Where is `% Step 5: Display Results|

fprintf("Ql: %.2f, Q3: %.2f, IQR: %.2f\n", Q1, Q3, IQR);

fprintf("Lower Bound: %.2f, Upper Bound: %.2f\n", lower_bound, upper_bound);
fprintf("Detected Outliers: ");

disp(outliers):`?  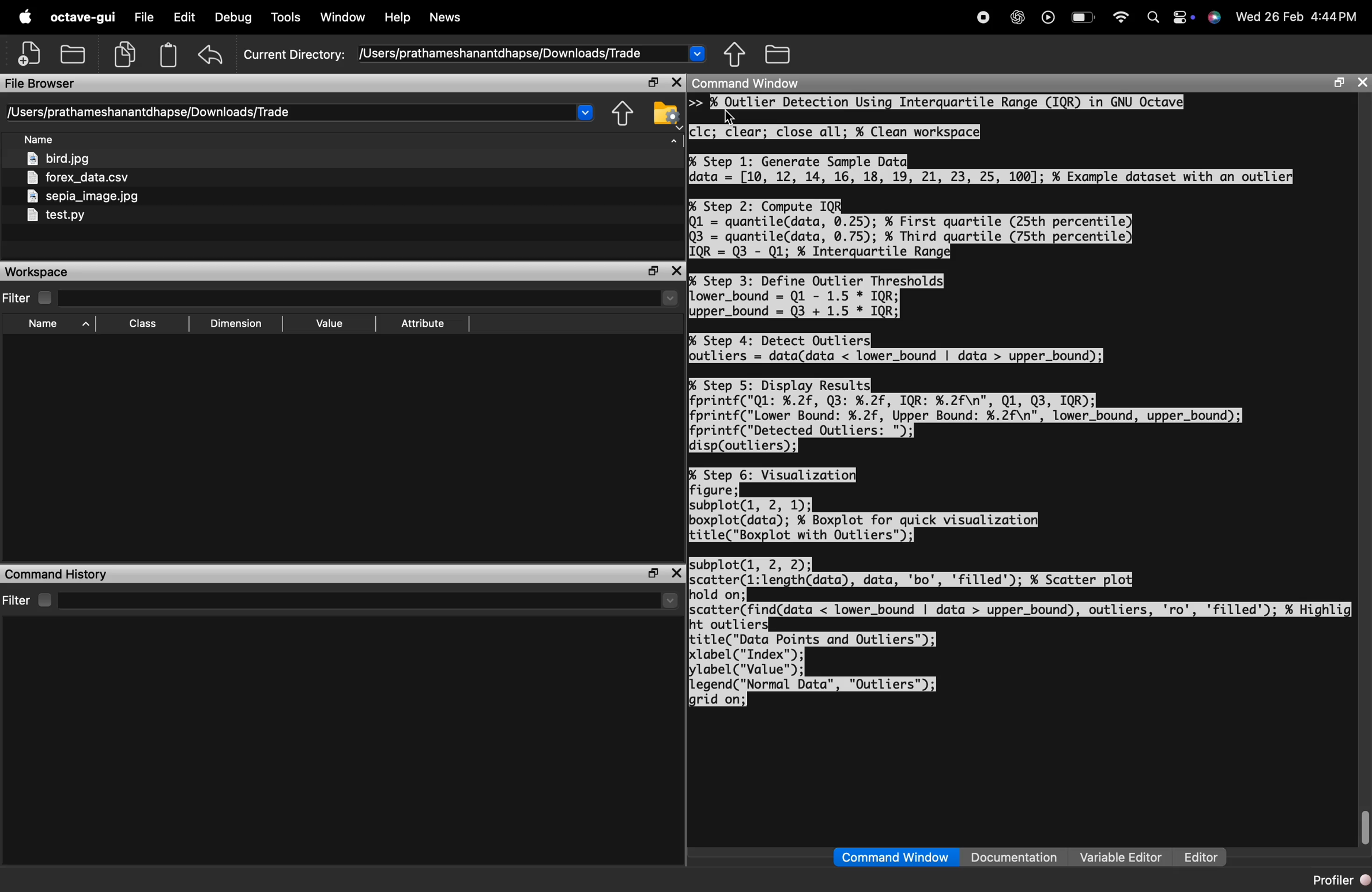 % Step 5: Display Results|

fprintf("Ql: %.2f, Q3: %.2f, IQR: %.2f\n", Q1, Q3, IQR);

fprintf("Lower Bound: %.2f, Upper Bound: %.2f\n", lower_bound, upper_bound);
fprintf("Detected Outliers: ");

disp(outliers): is located at coordinates (966, 415).